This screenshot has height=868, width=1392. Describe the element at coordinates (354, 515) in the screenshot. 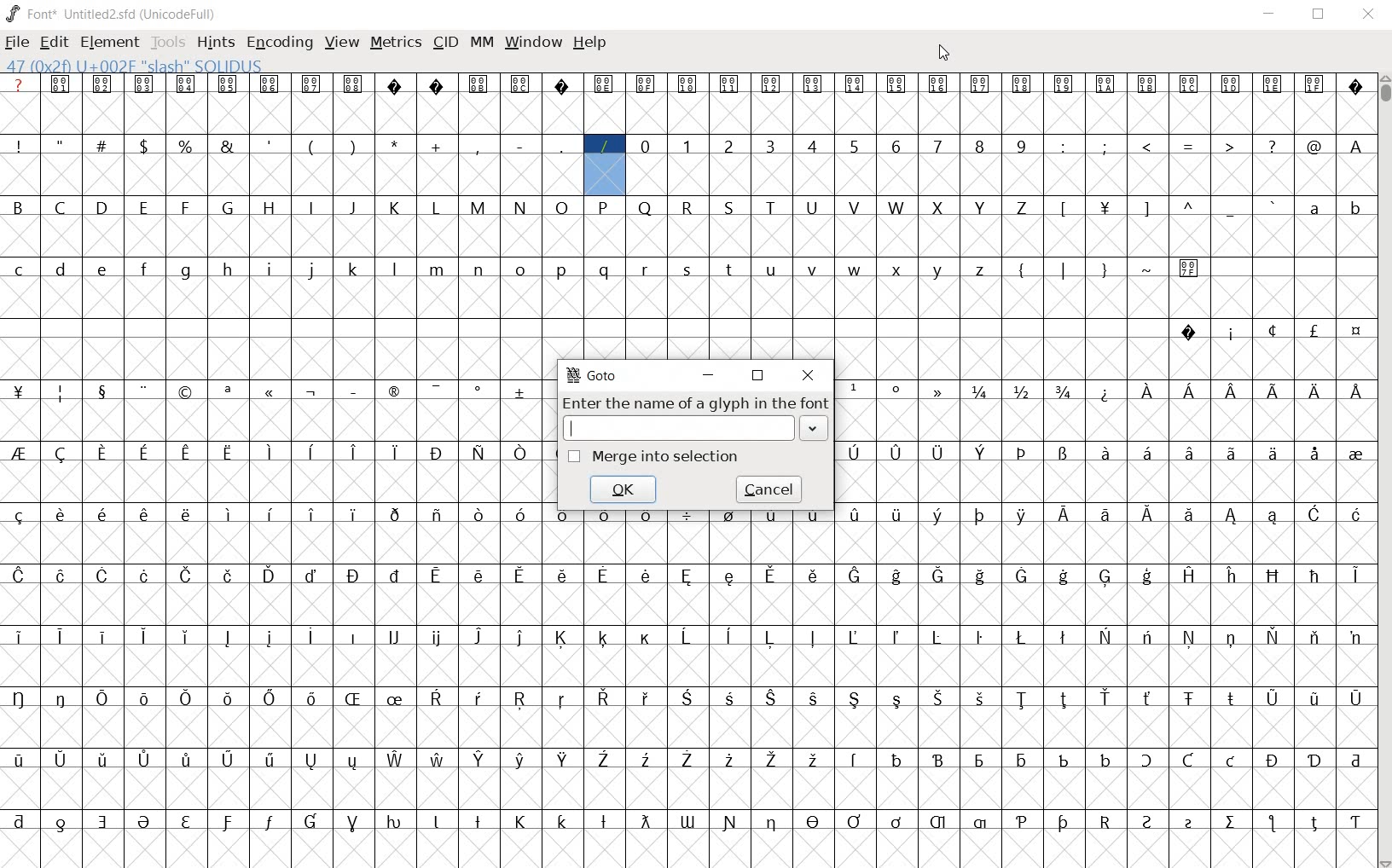

I see `glyph` at that location.